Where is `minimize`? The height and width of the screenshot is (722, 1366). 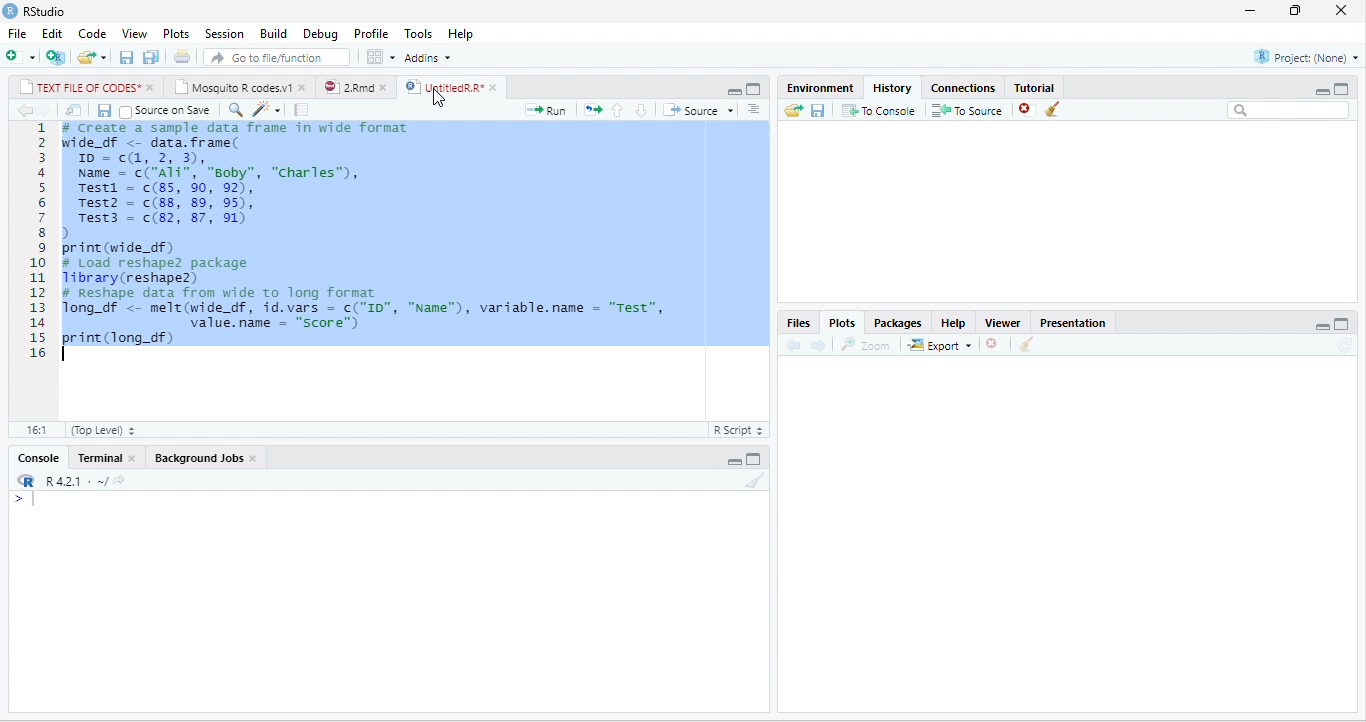
minimize is located at coordinates (734, 92).